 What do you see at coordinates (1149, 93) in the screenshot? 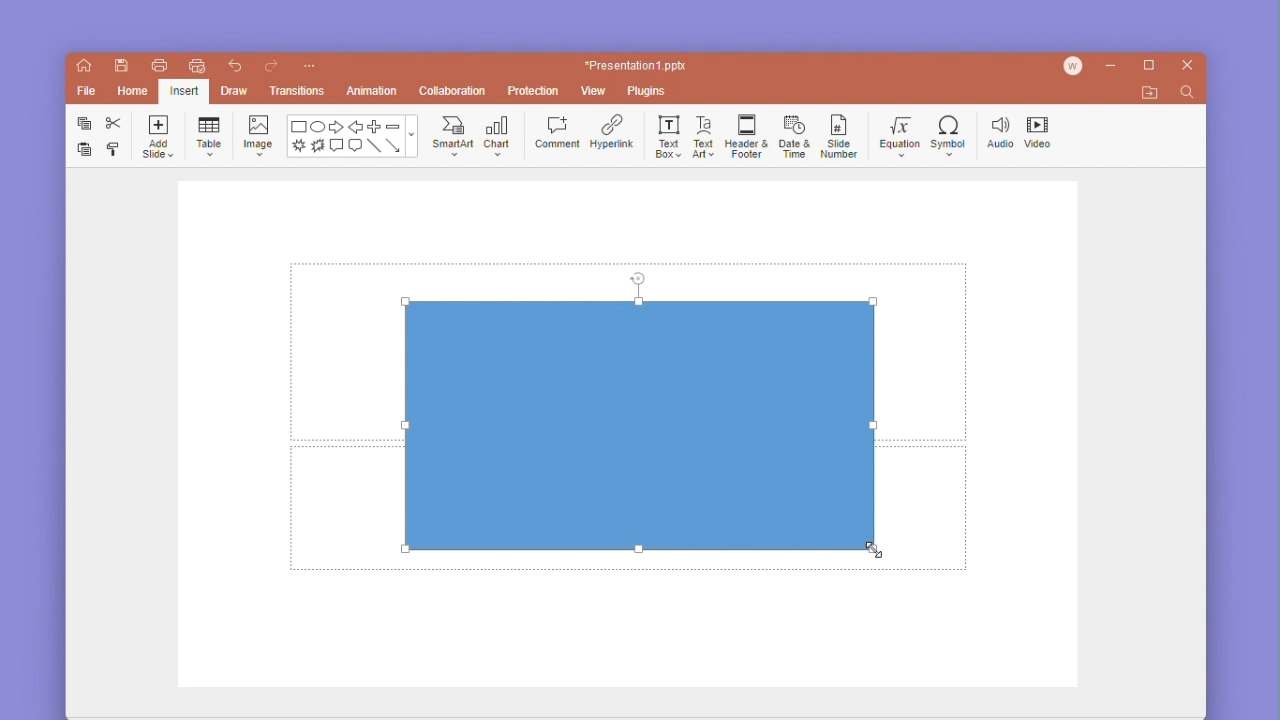
I see `open file location` at bounding box center [1149, 93].